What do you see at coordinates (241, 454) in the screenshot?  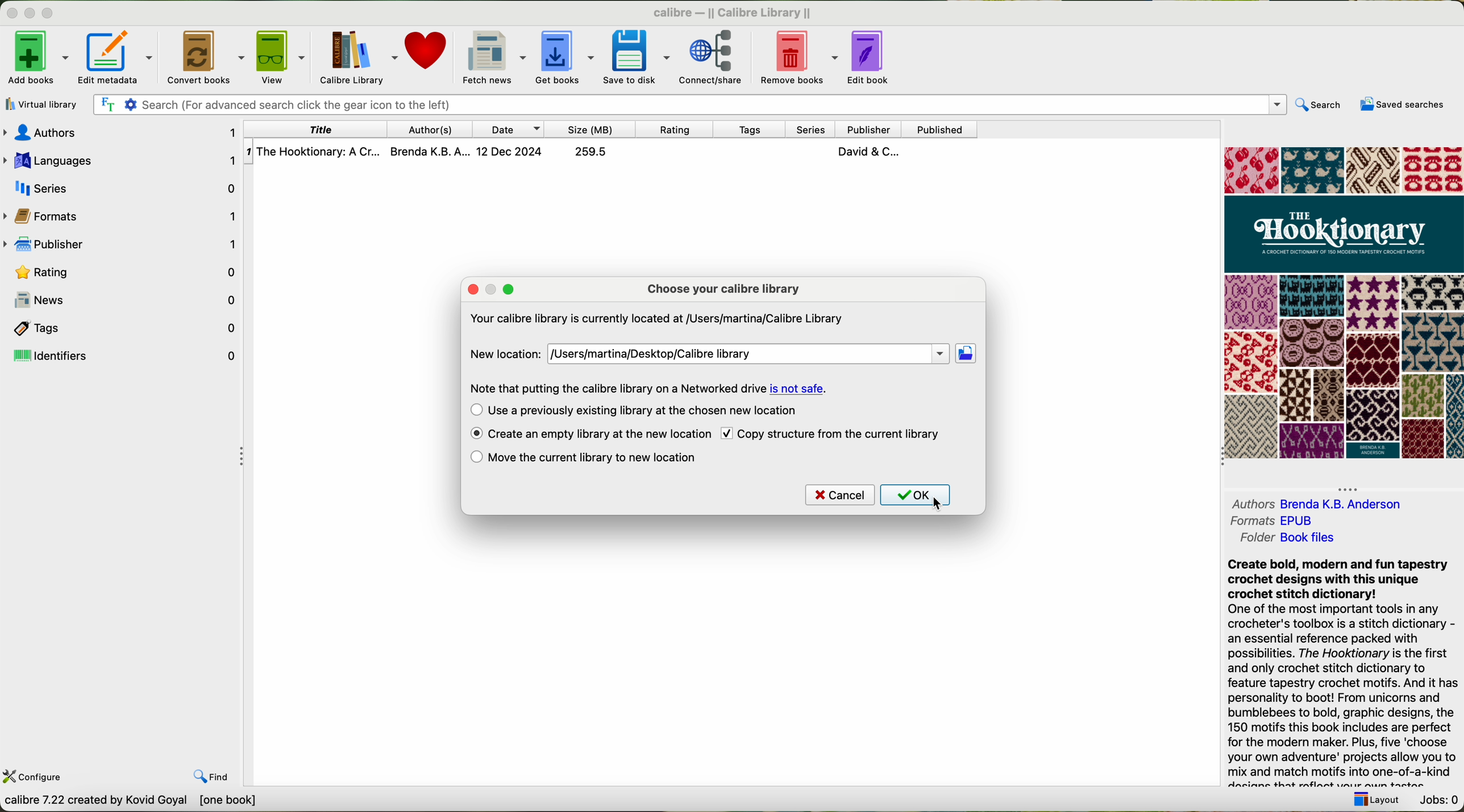 I see `hide` at bounding box center [241, 454].